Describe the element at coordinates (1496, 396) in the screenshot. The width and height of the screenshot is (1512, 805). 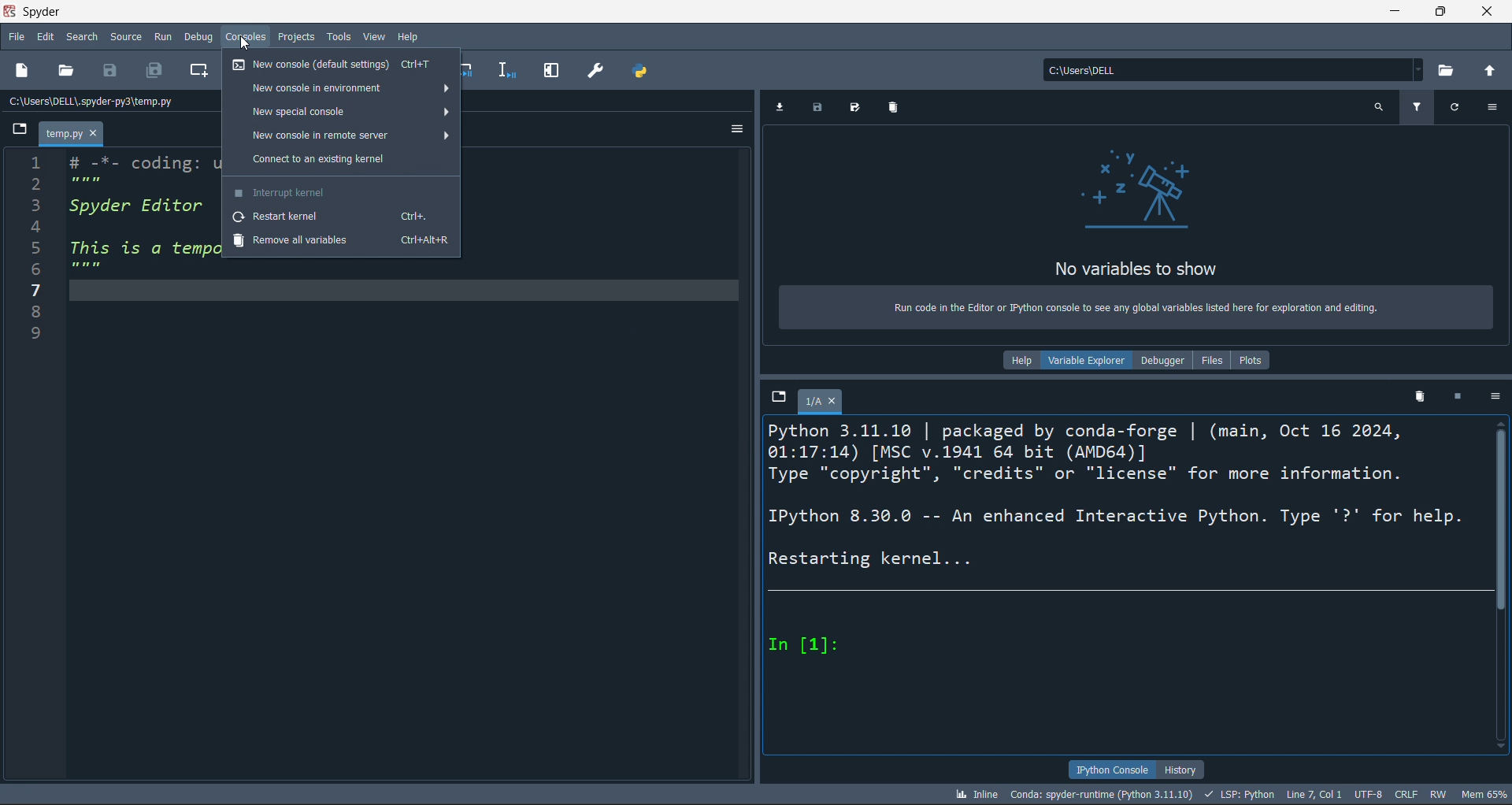
I see `more options` at that location.